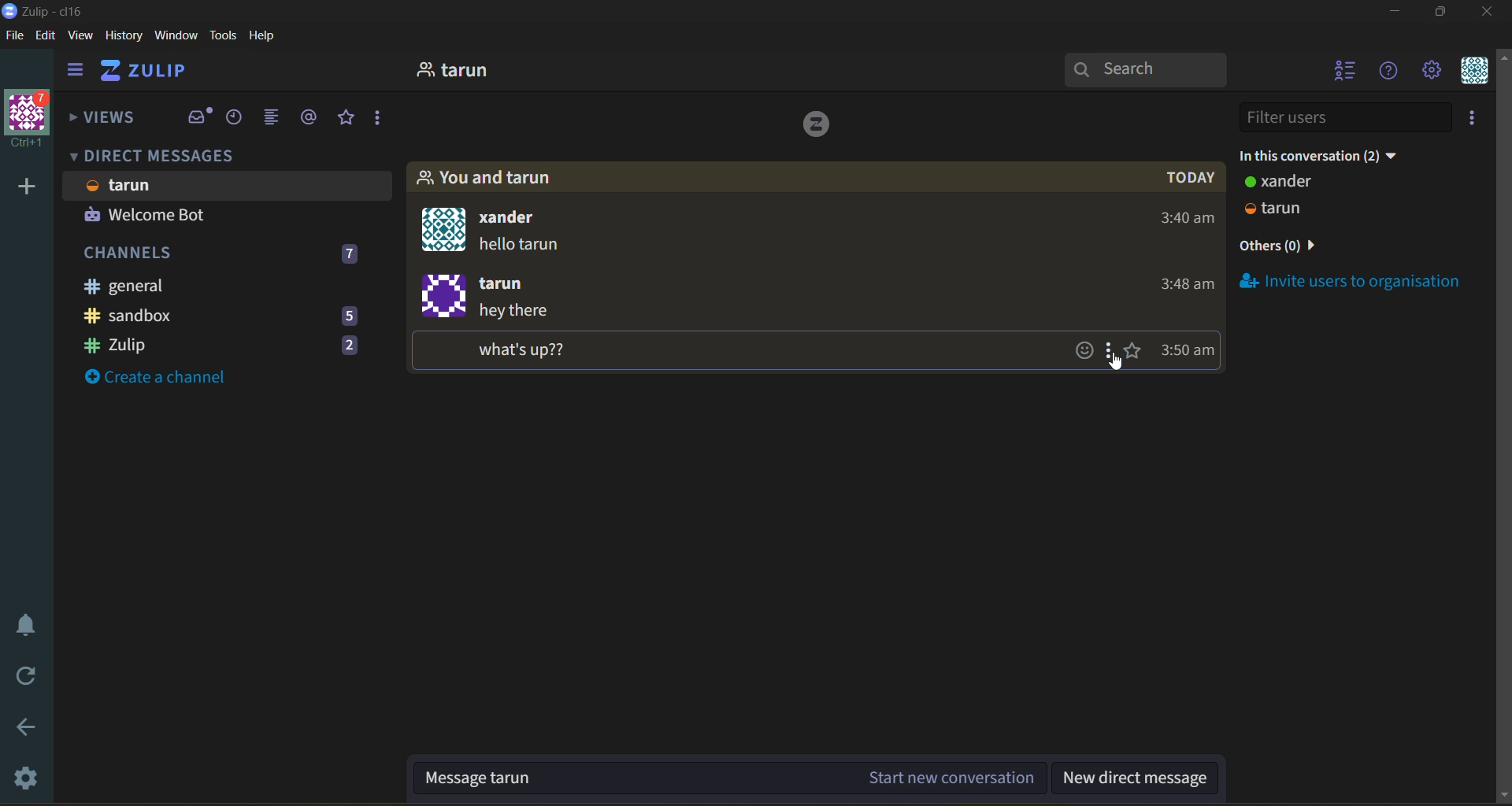  What do you see at coordinates (527, 249) in the screenshot?
I see `message` at bounding box center [527, 249].